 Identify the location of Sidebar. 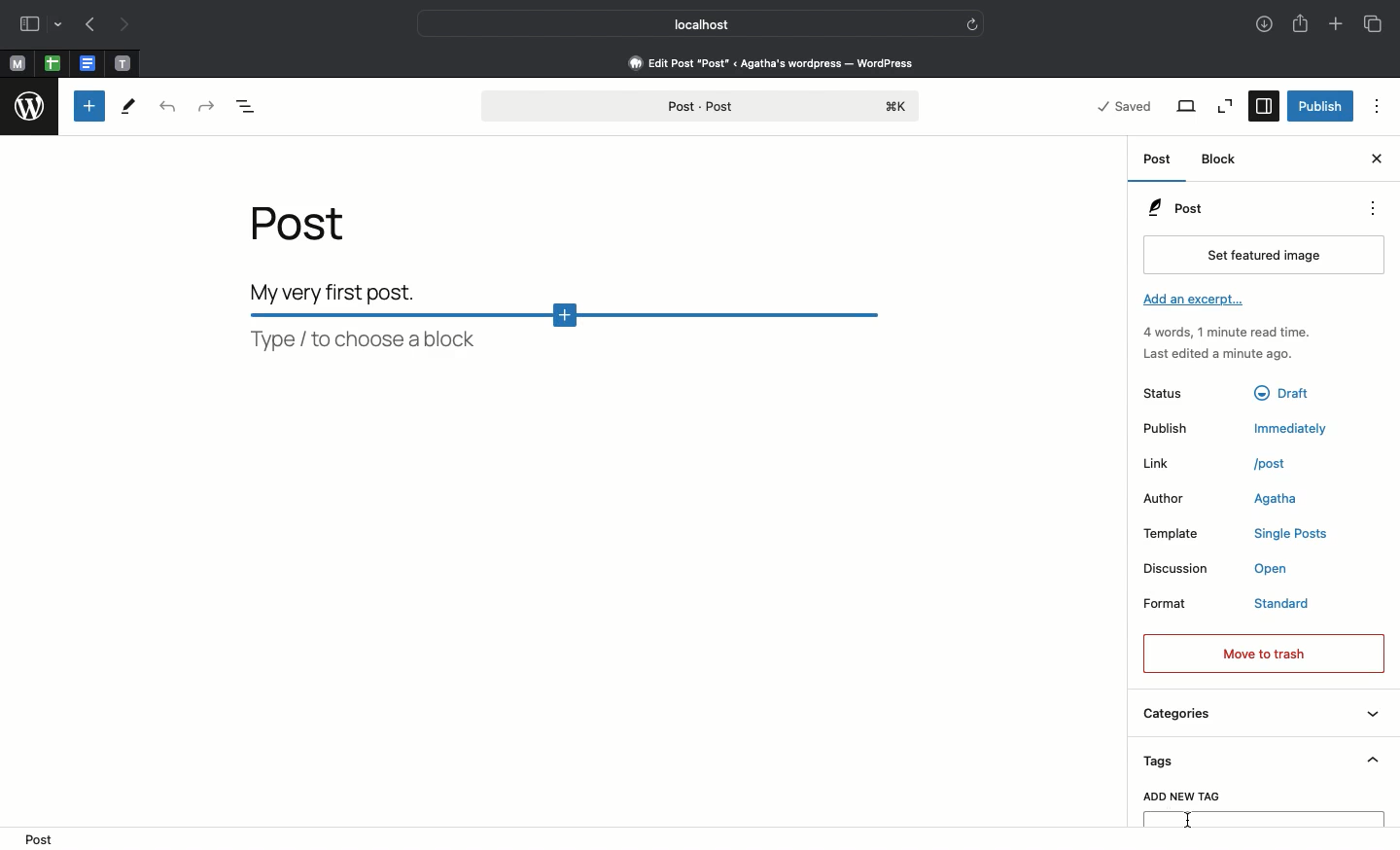
(31, 24).